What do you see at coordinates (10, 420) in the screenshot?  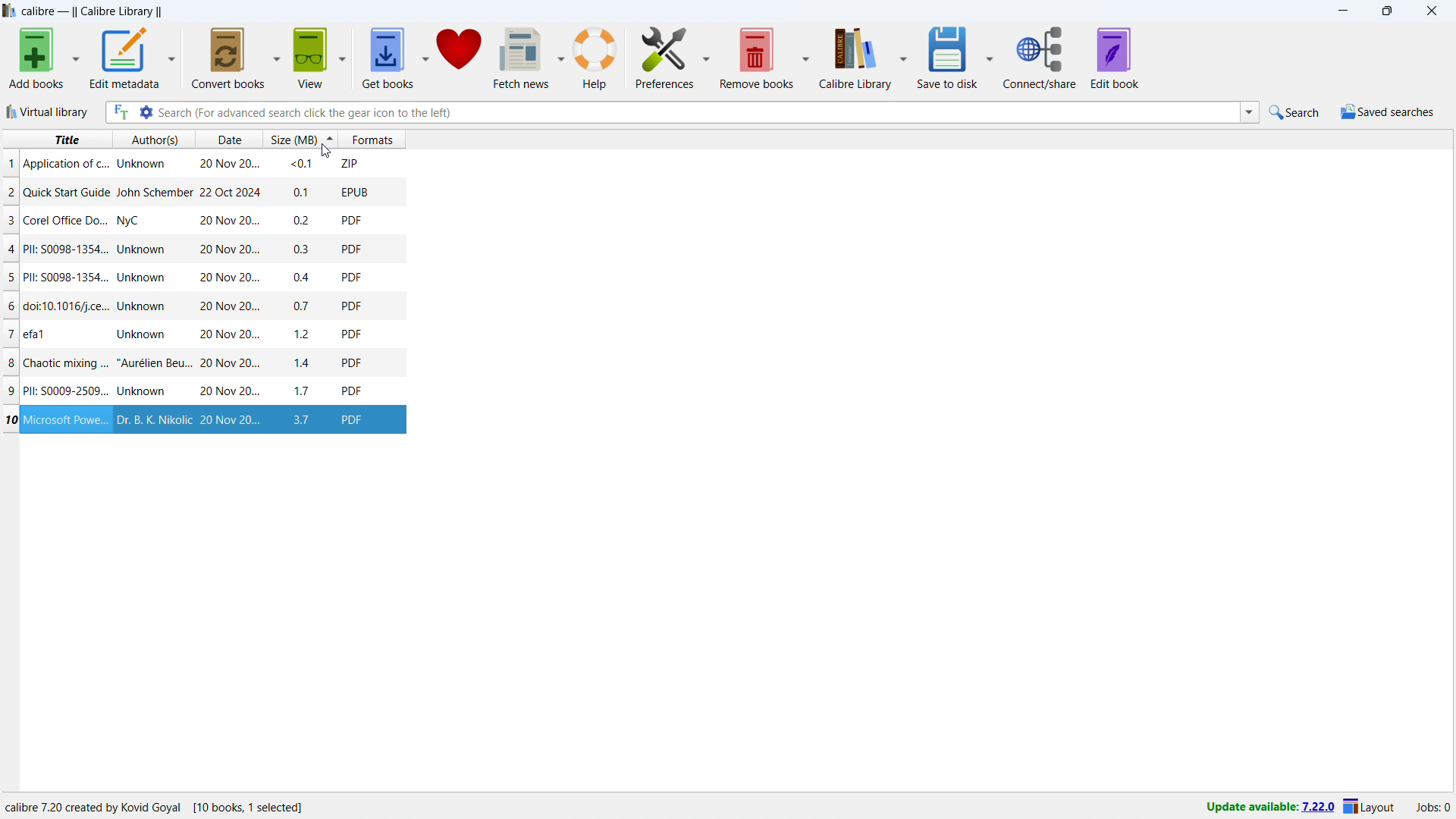 I see `10` at bounding box center [10, 420].